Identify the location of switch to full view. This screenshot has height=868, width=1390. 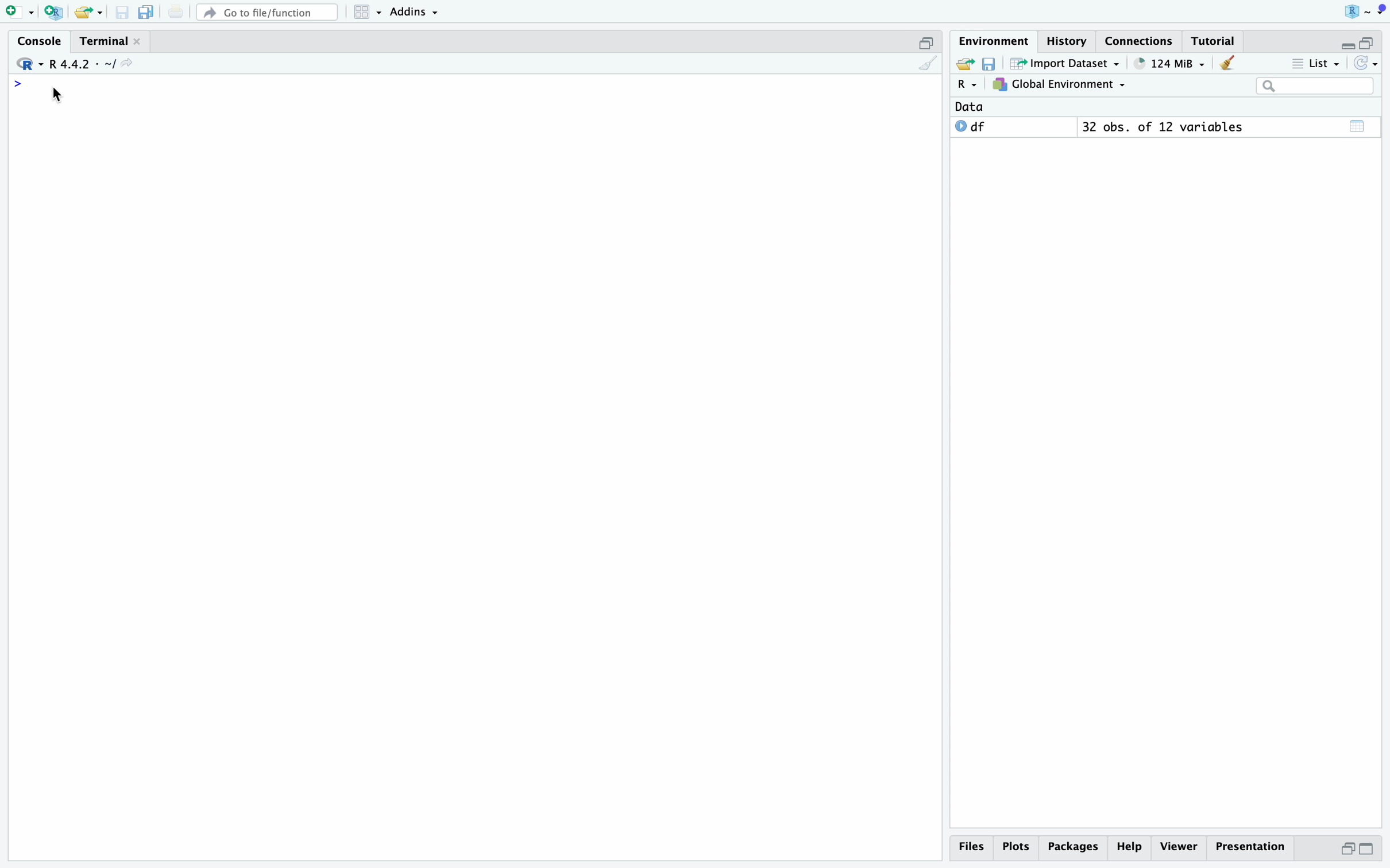
(1368, 850).